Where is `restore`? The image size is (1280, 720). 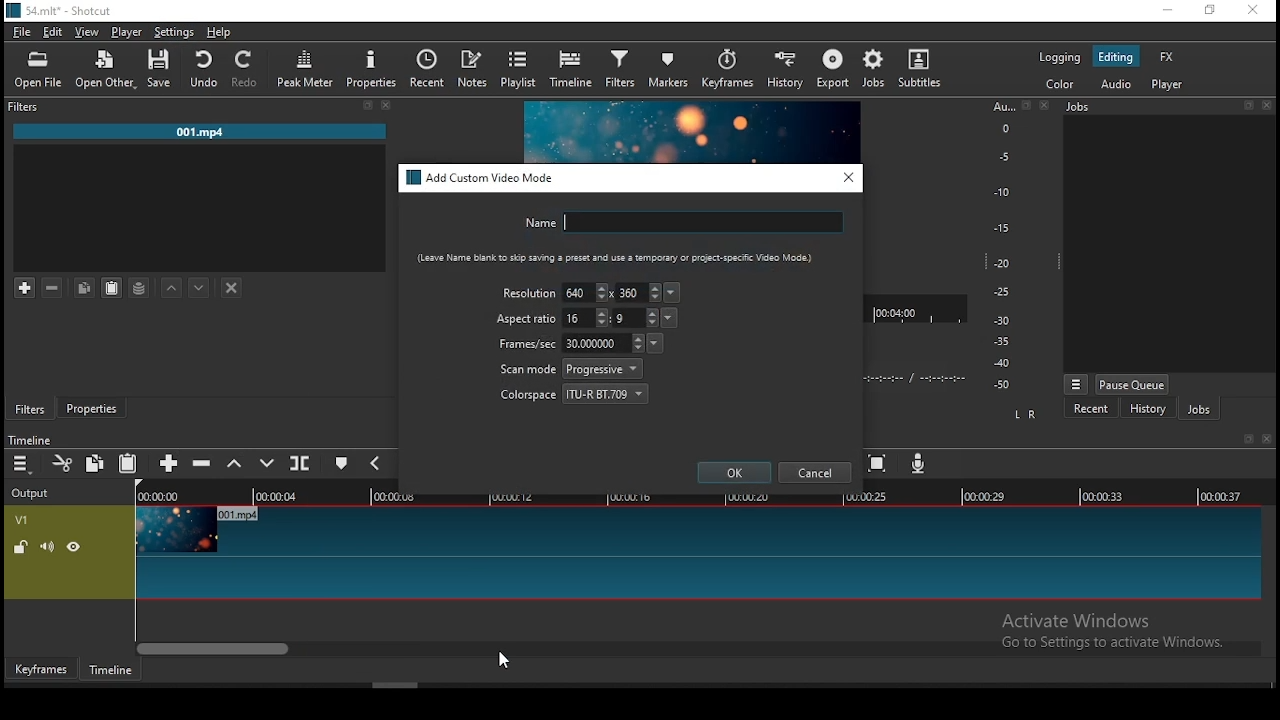
restore is located at coordinates (1248, 106).